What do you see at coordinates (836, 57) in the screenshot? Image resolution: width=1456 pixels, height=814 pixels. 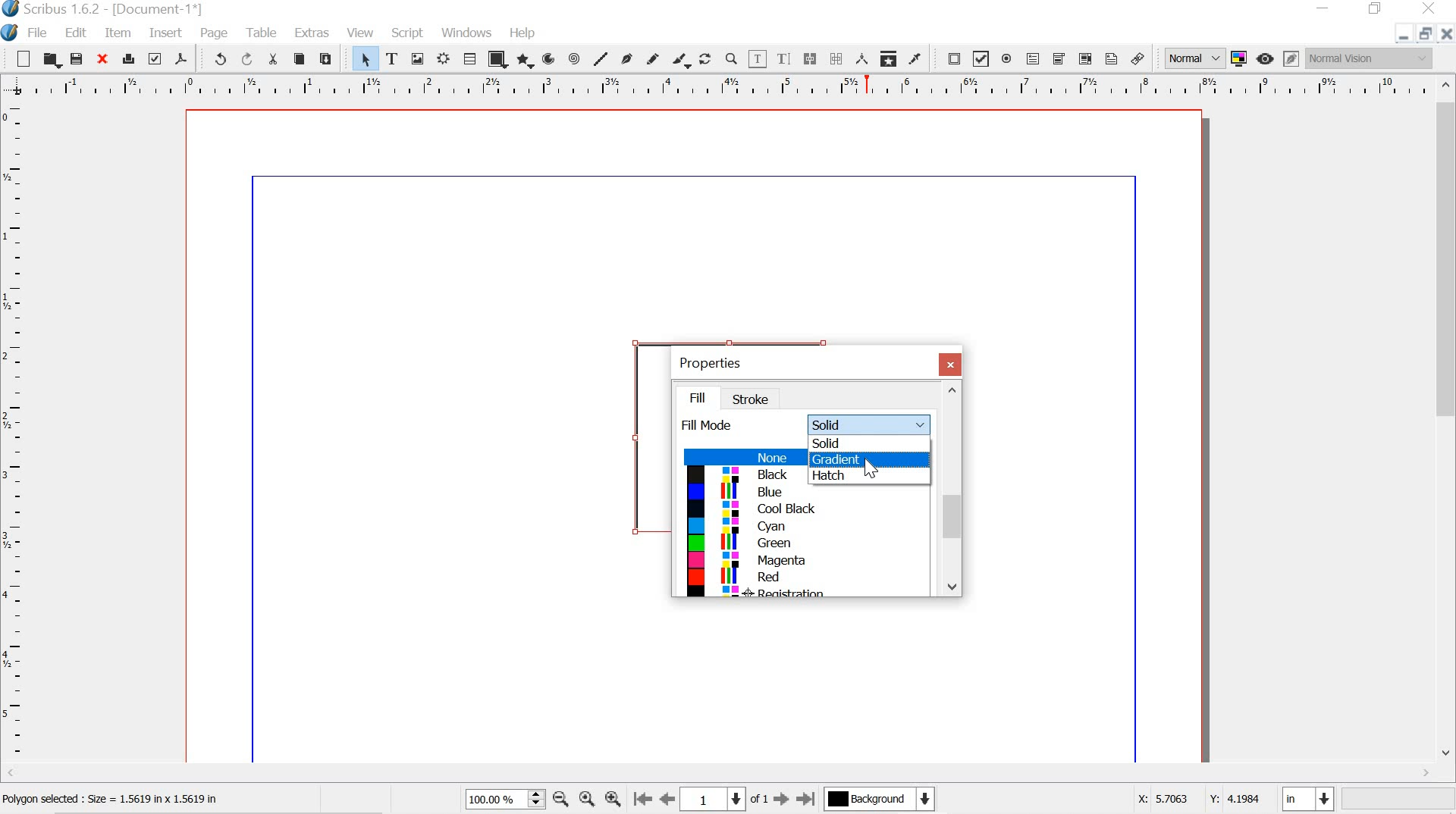 I see `unlink text frames` at bounding box center [836, 57].